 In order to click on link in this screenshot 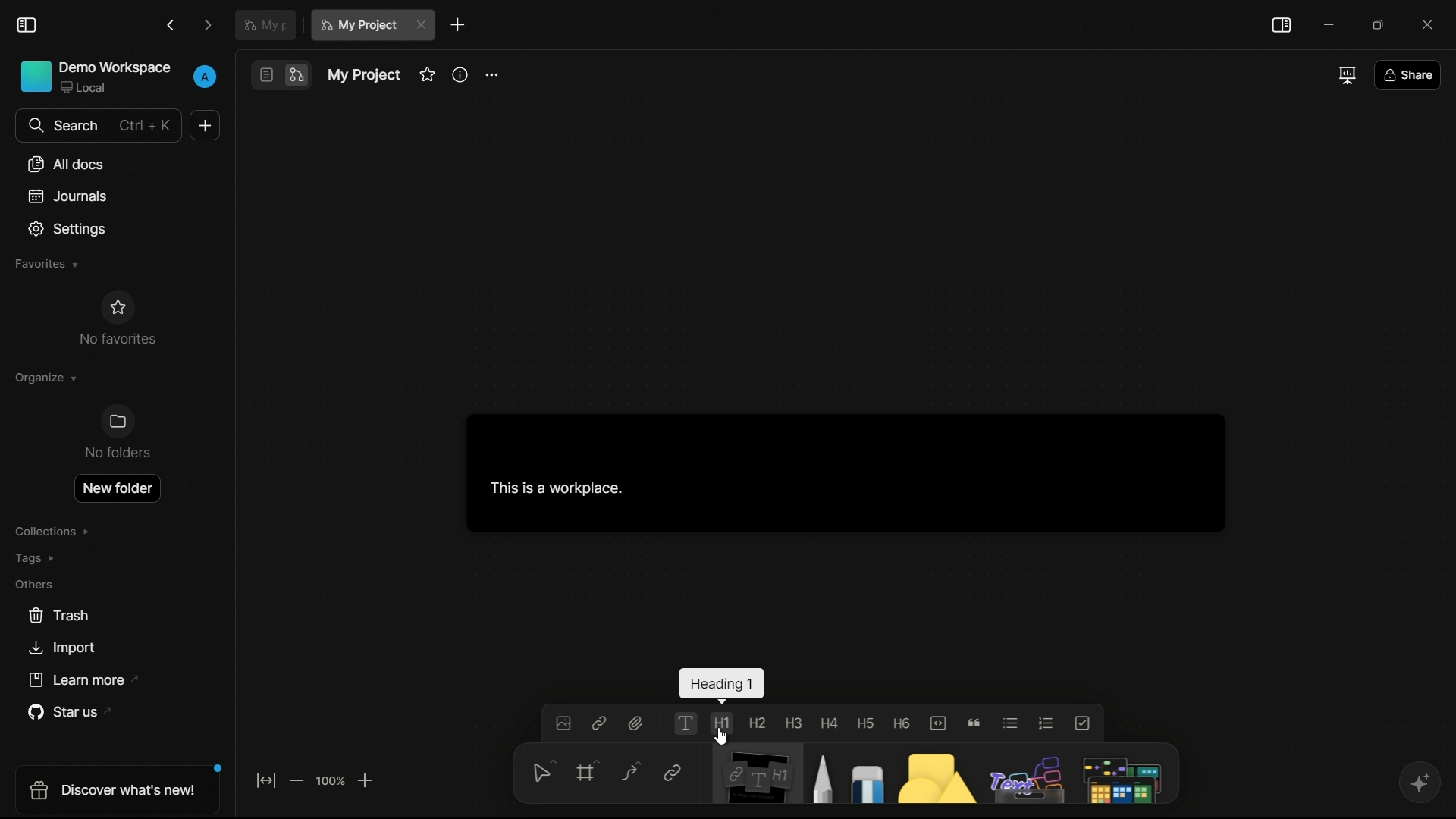, I will do `click(672, 773)`.